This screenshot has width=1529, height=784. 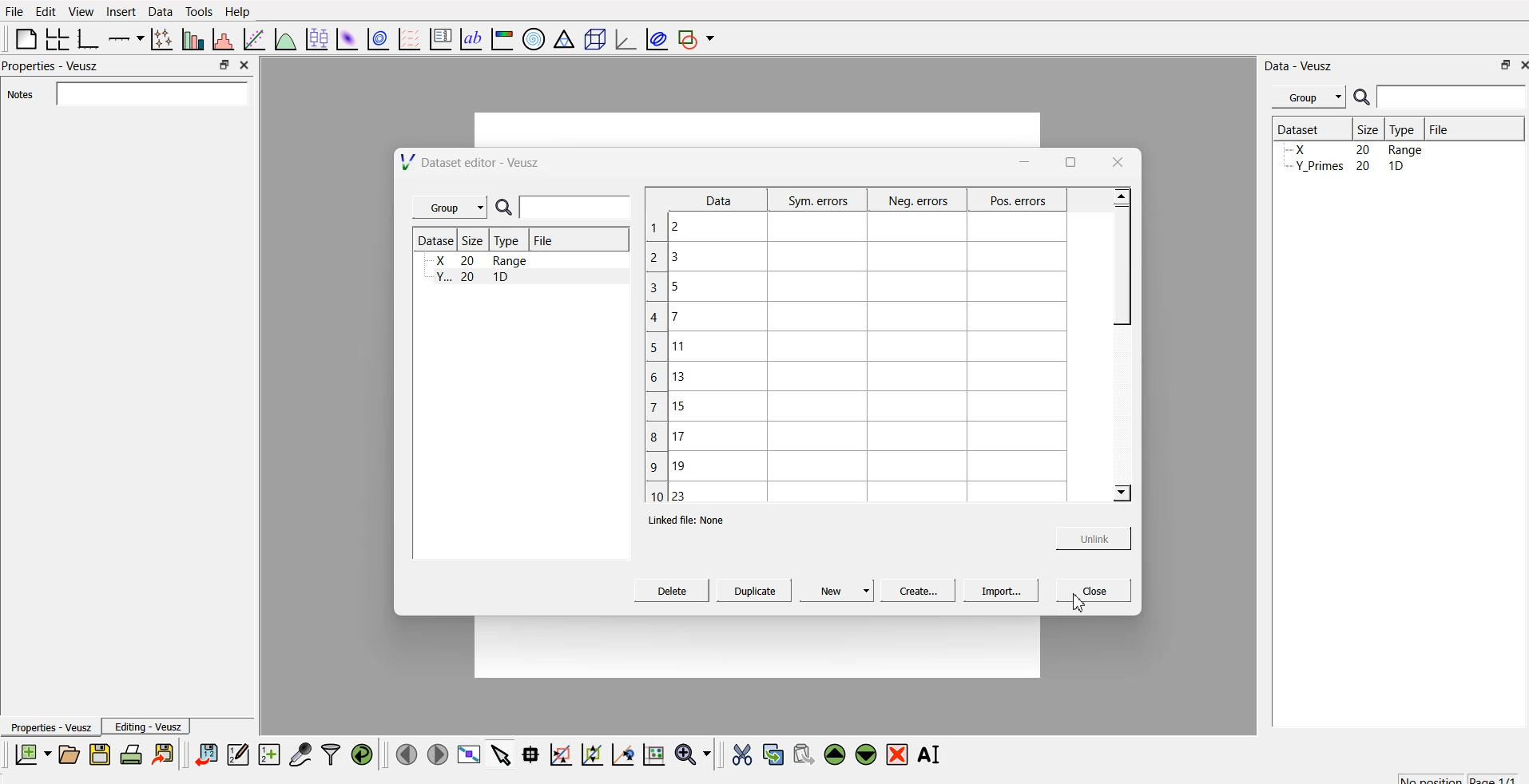 What do you see at coordinates (56, 37) in the screenshot?
I see `arrange grid in graph` at bounding box center [56, 37].